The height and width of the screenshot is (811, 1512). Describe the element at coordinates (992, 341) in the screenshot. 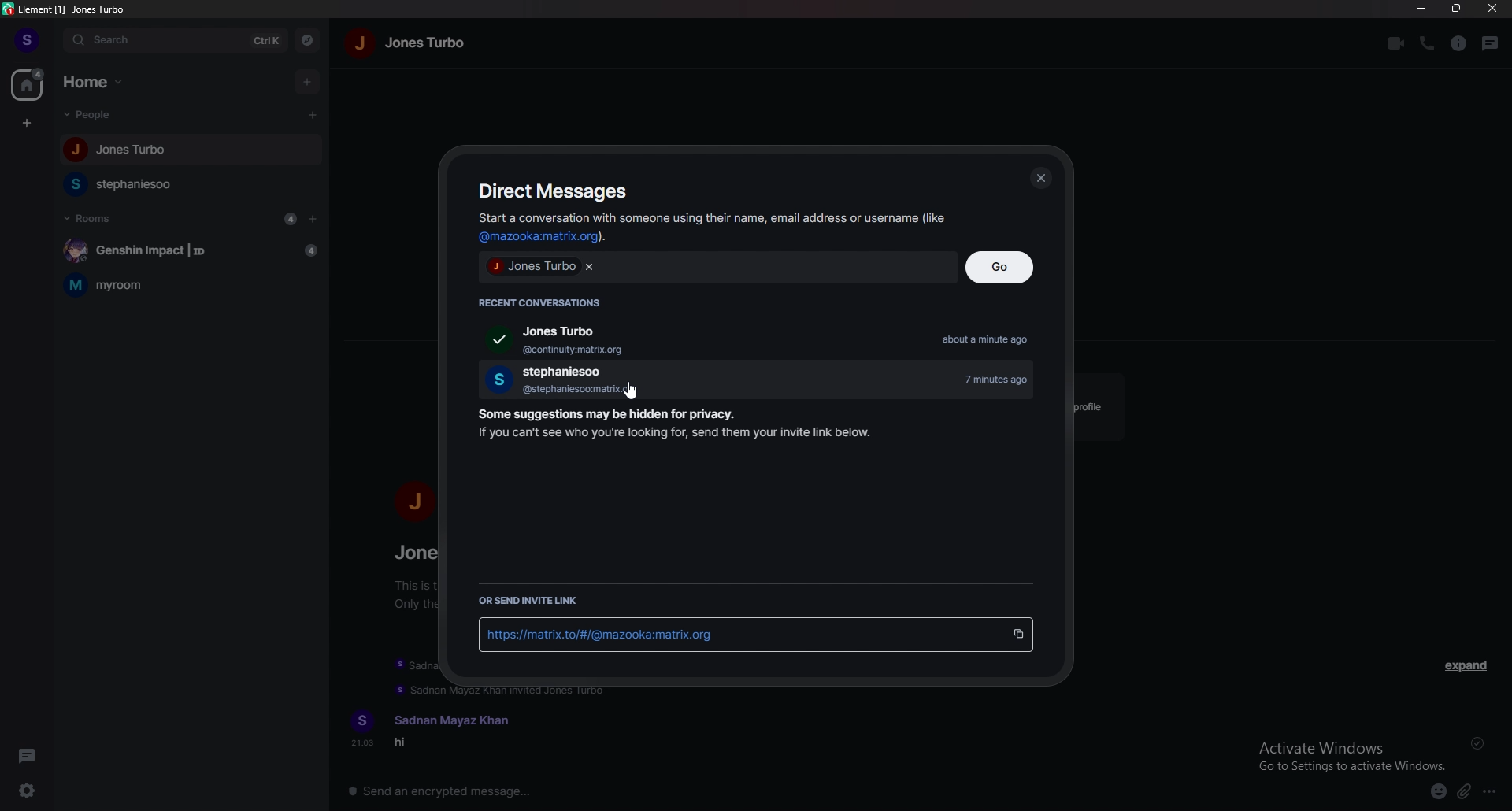

I see `about a minute ago` at that location.